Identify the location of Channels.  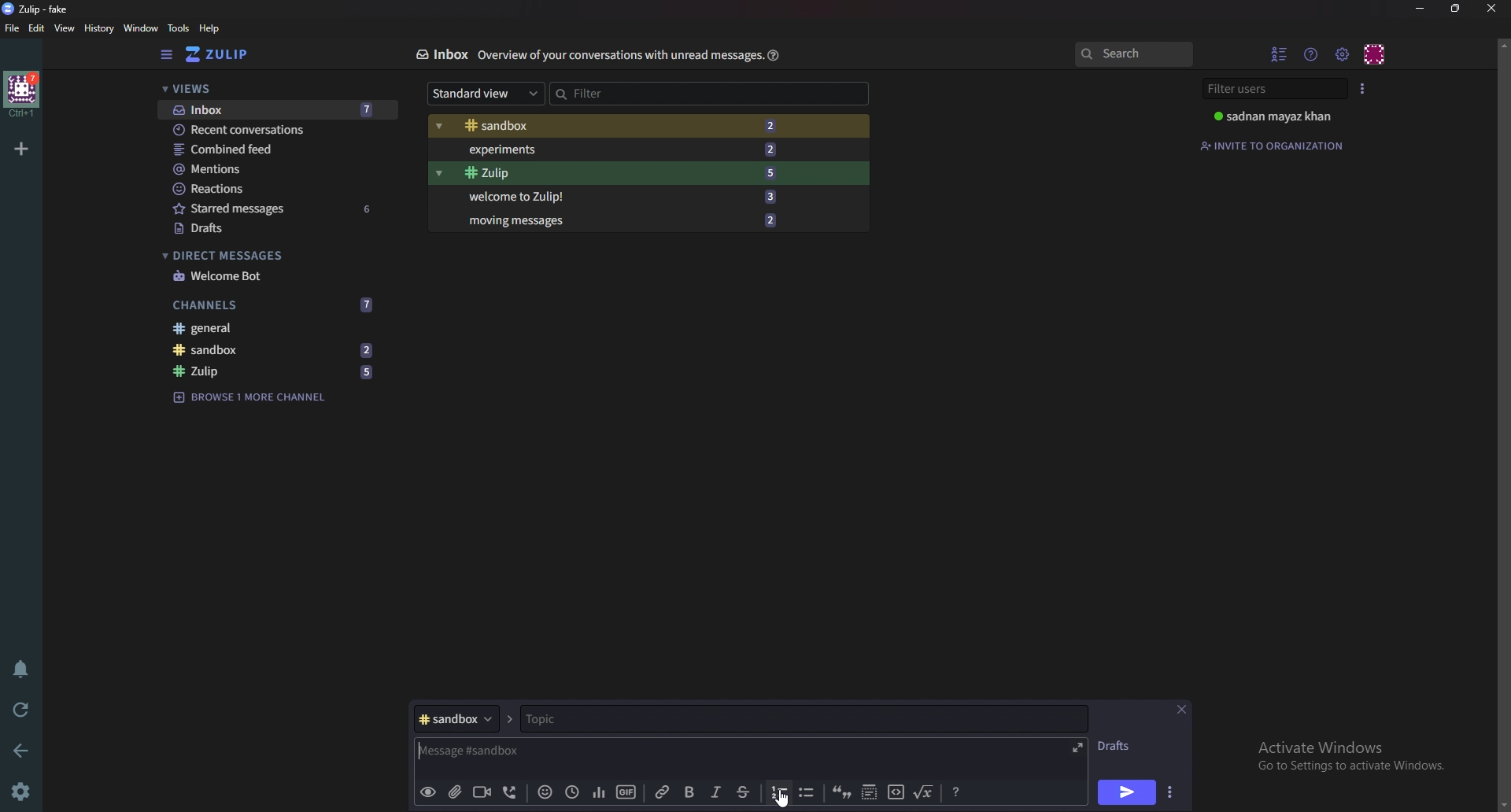
(276, 303).